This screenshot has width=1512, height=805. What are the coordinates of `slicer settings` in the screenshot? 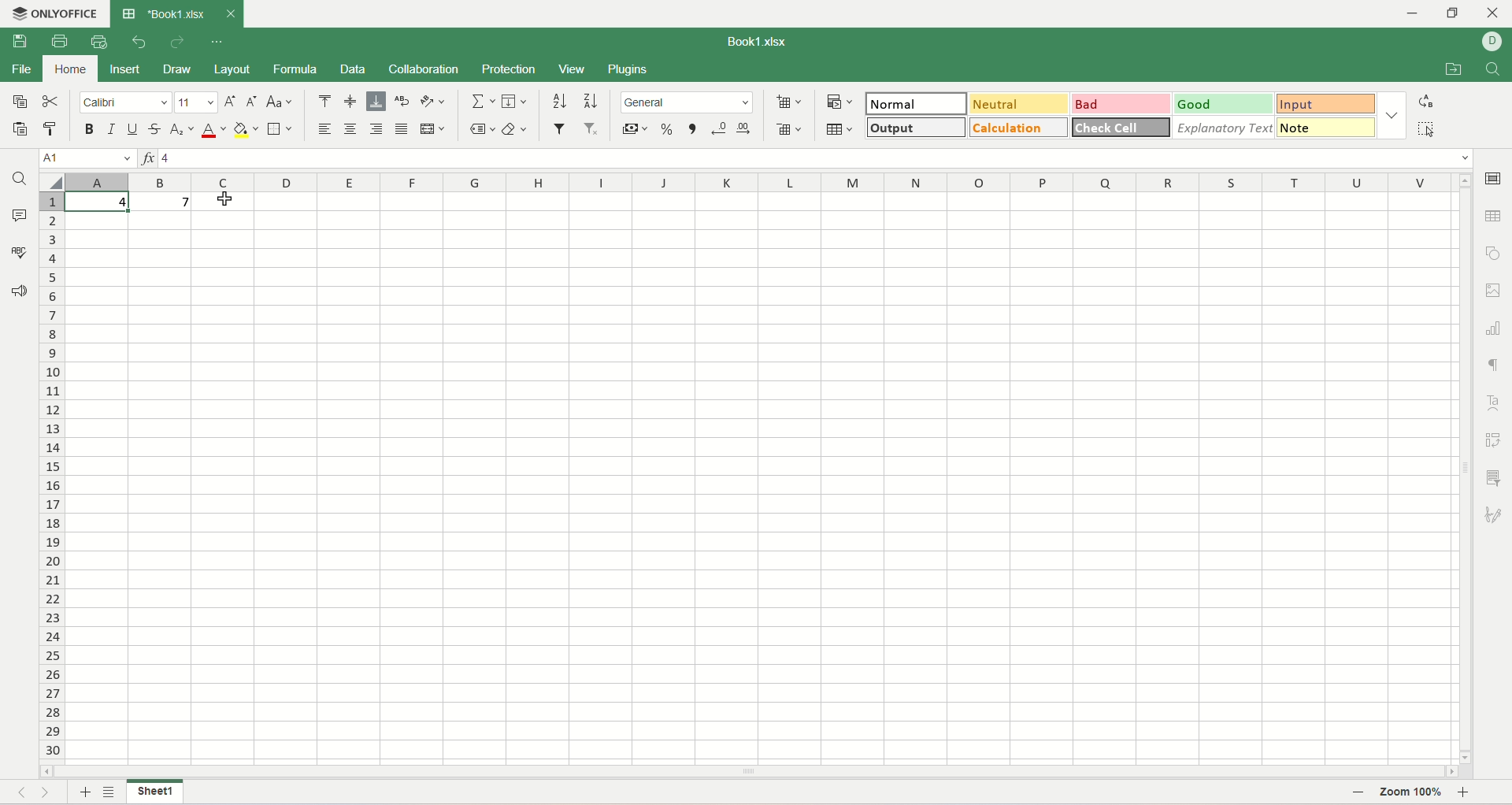 It's located at (1496, 477).